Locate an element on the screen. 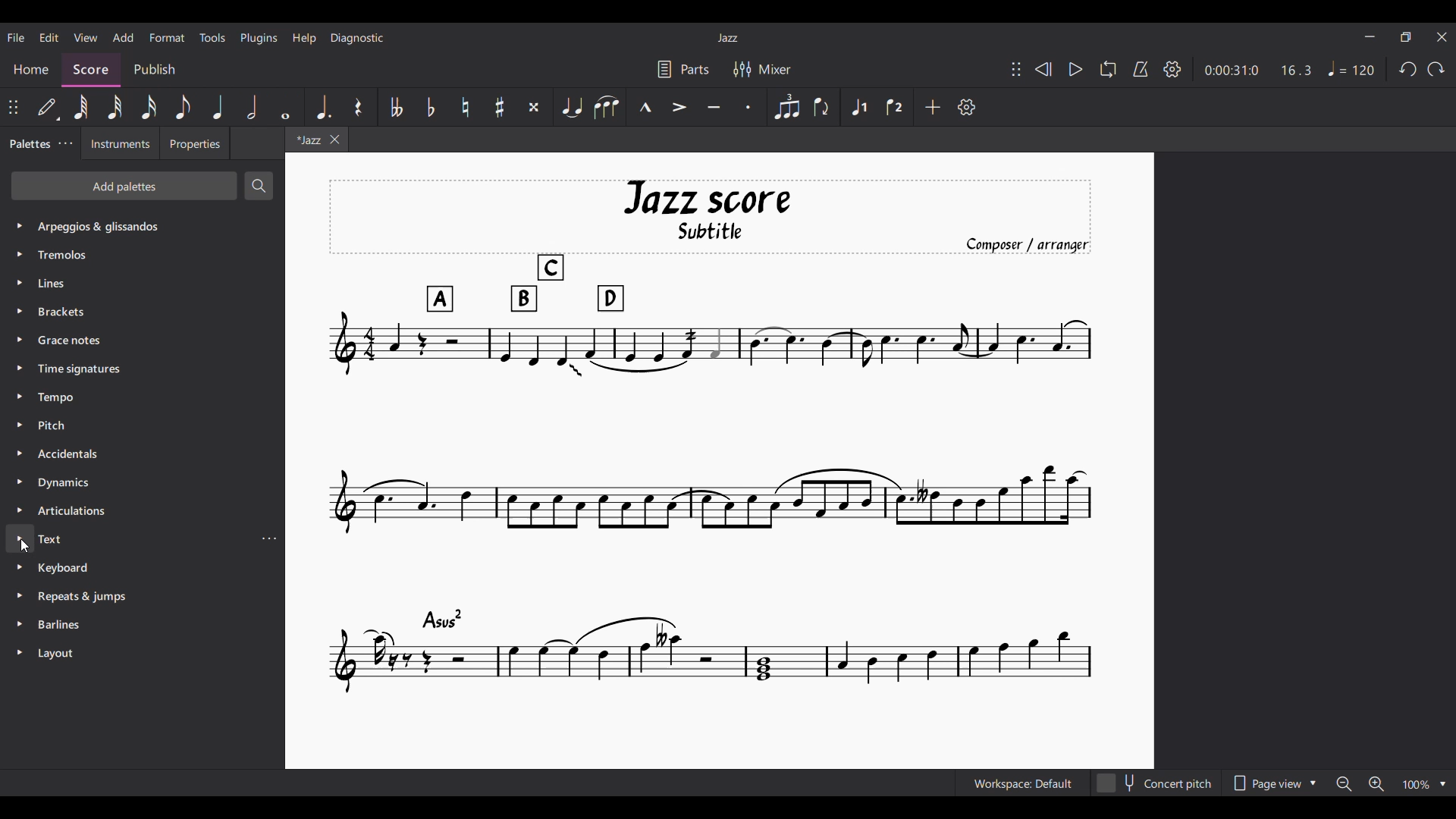  Palette options is located at coordinates (102, 226).